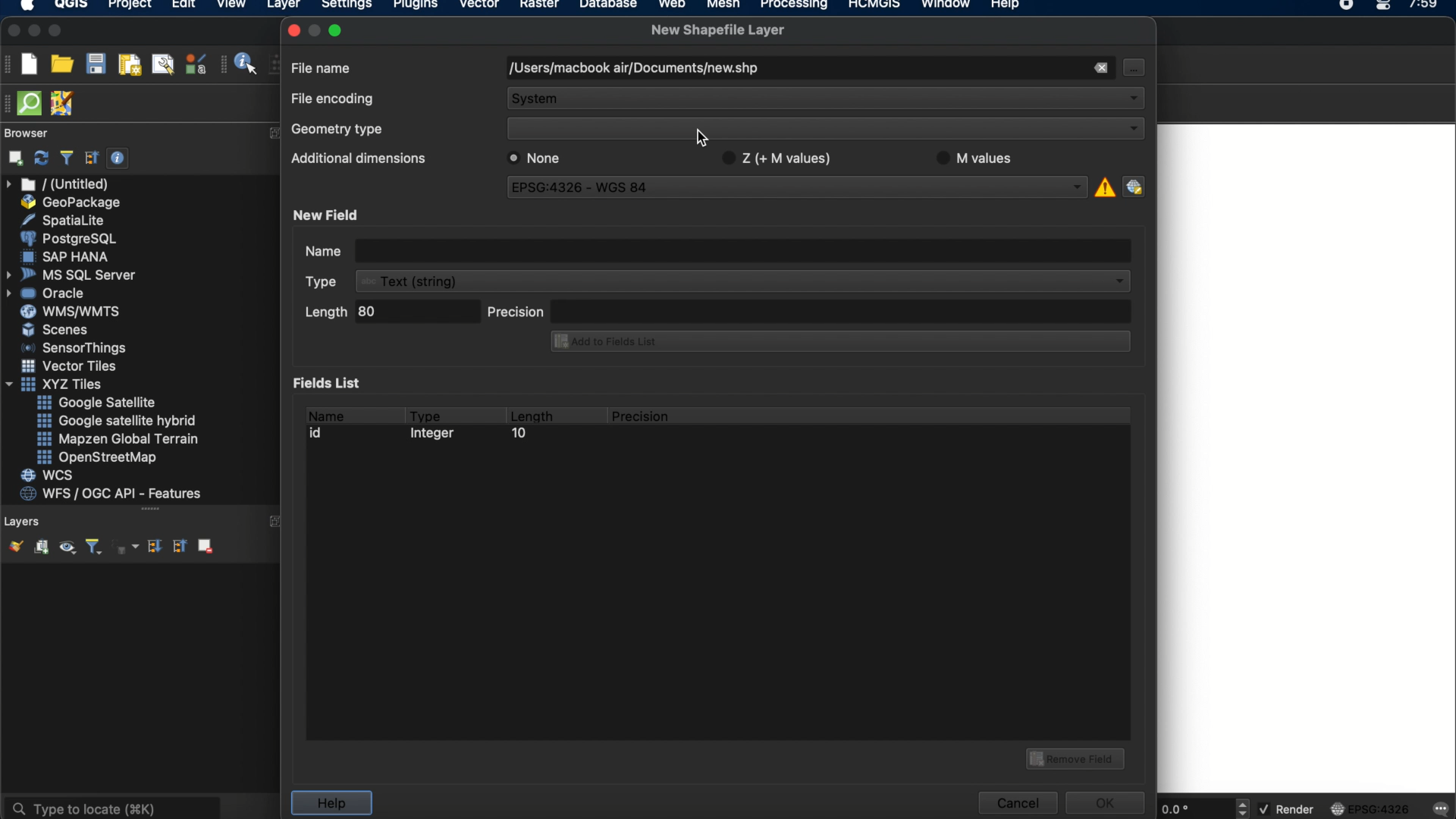 The image size is (1456, 819). Describe the element at coordinates (798, 6) in the screenshot. I see `processing` at that location.